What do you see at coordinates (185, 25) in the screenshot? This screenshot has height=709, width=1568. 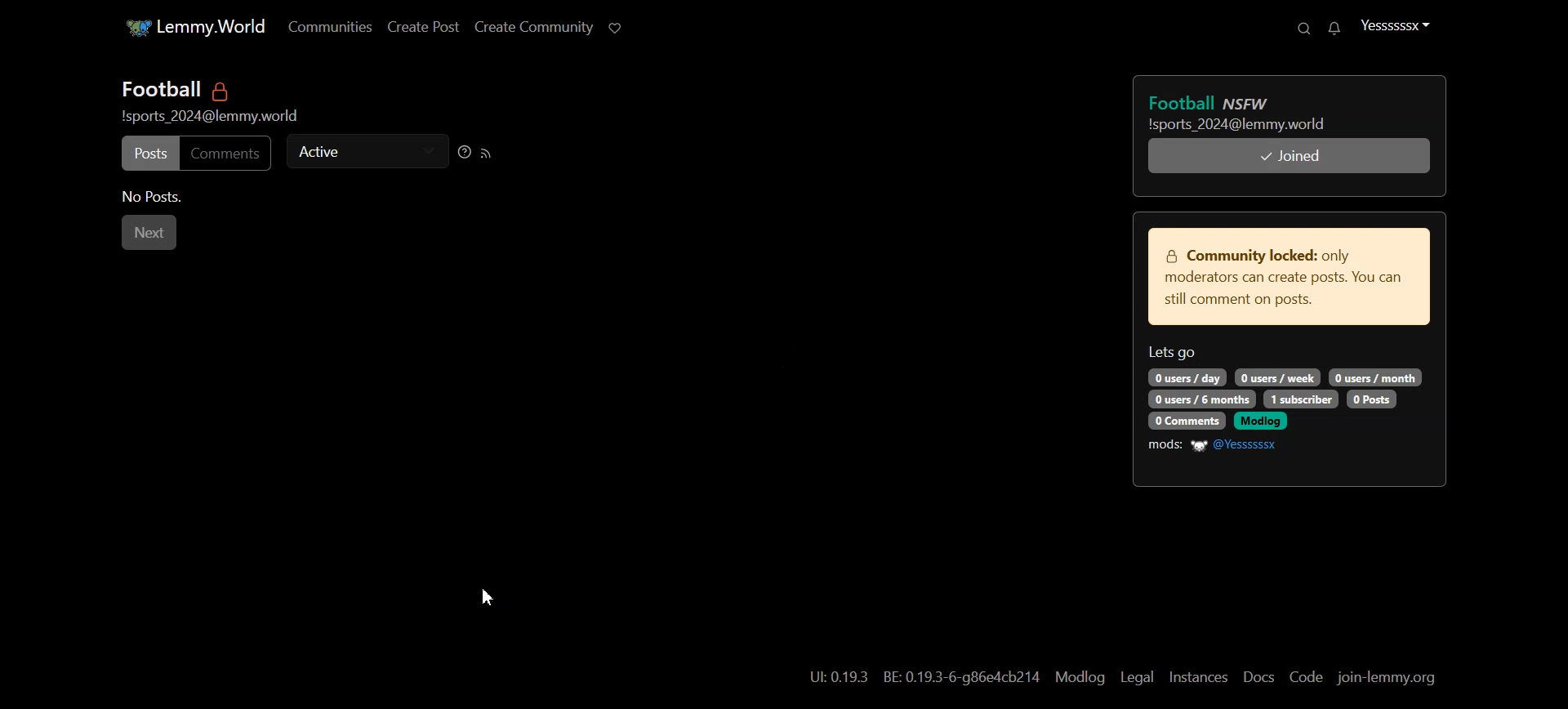 I see `Home window` at bounding box center [185, 25].